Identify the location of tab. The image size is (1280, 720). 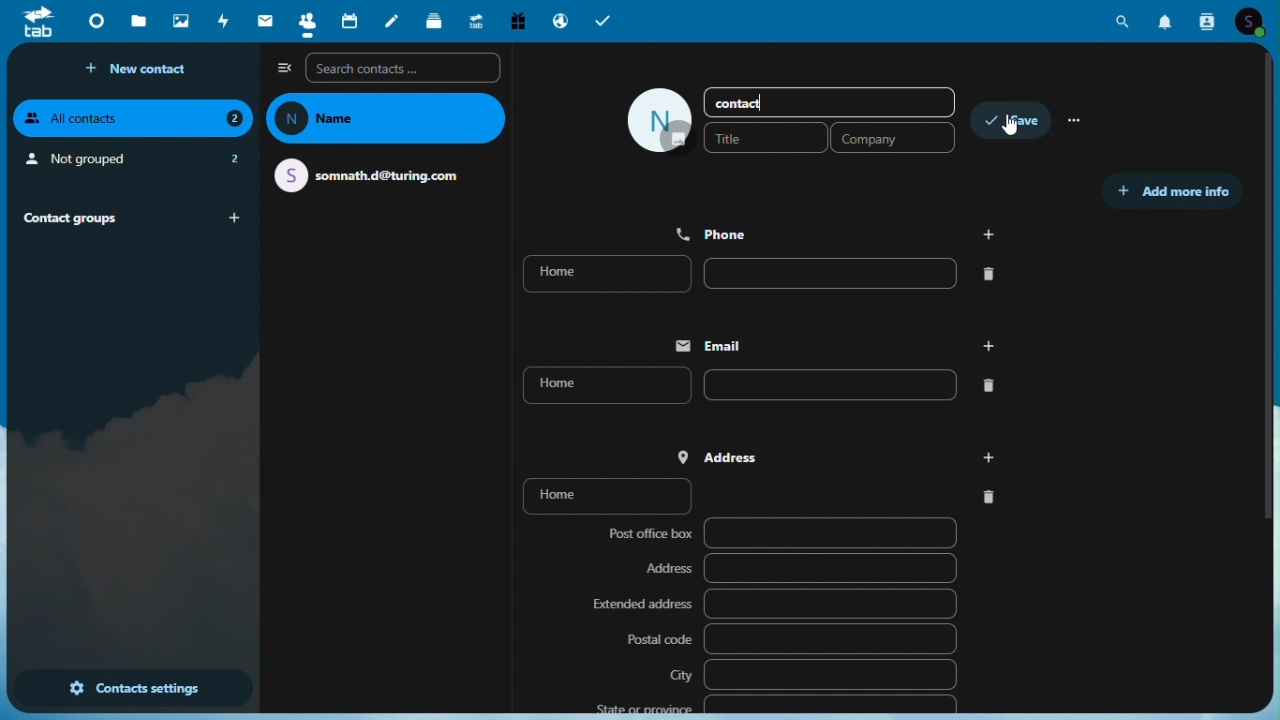
(36, 24).